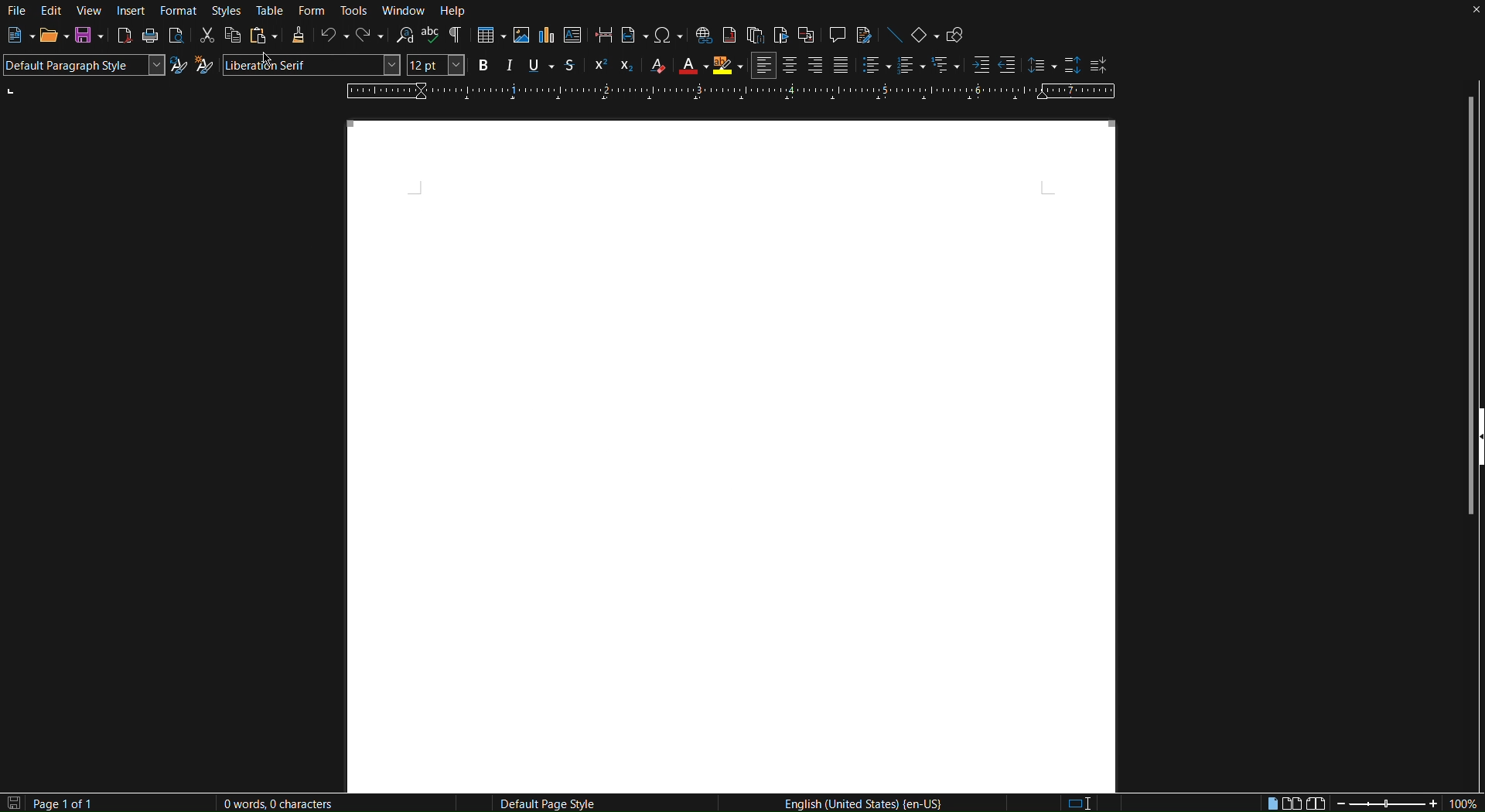 The width and height of the screenshot is (1485, 812). Describe the element at coordinates (980, 67) in the screenshot. I see `Increase Indent` at that location.